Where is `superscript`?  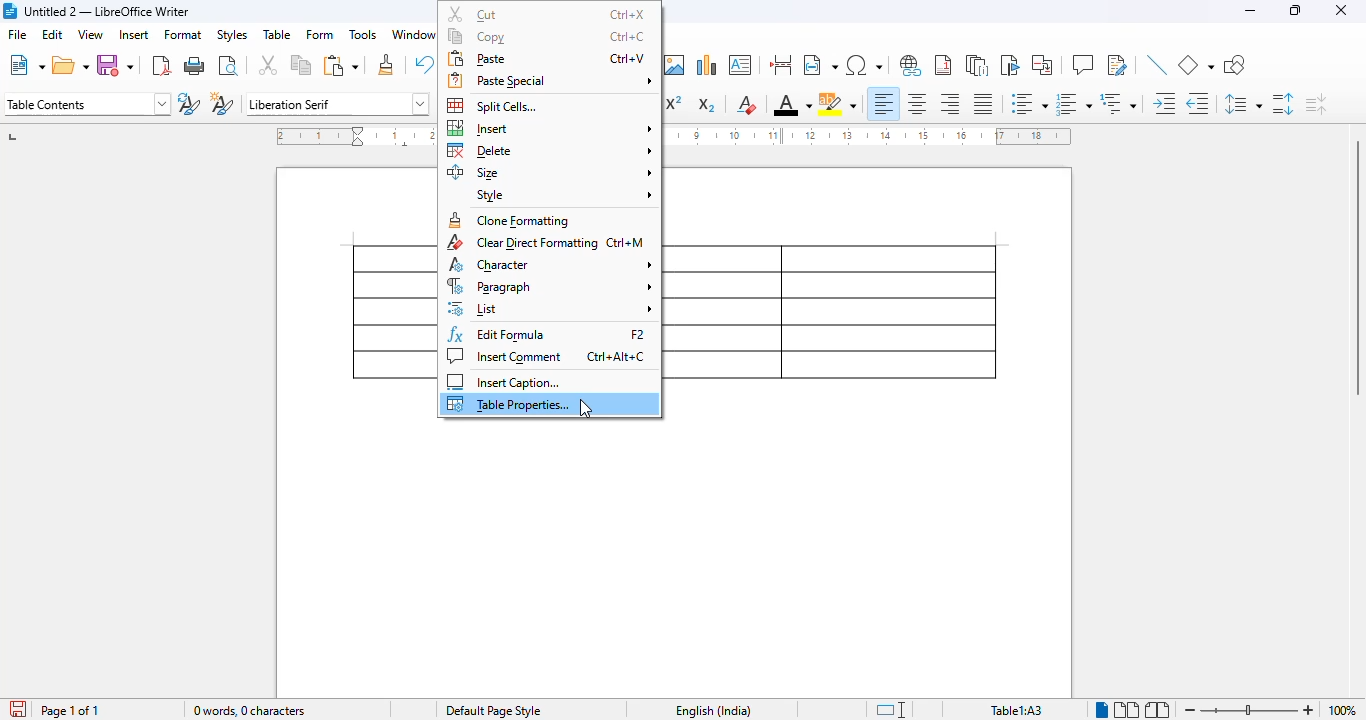
superscript is located at coordinates (674, 102).